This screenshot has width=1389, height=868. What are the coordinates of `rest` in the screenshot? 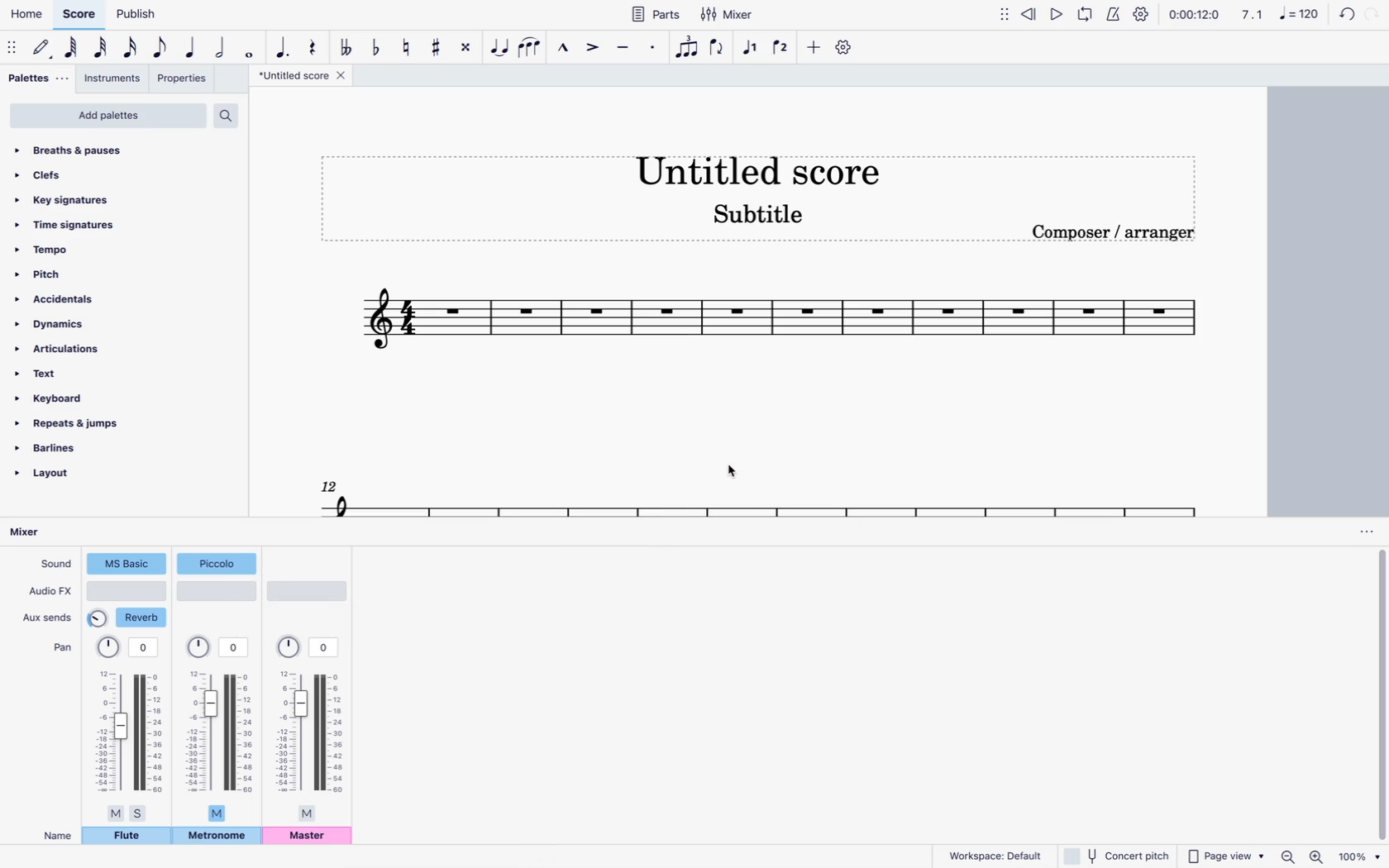 It's located at (312, 43).